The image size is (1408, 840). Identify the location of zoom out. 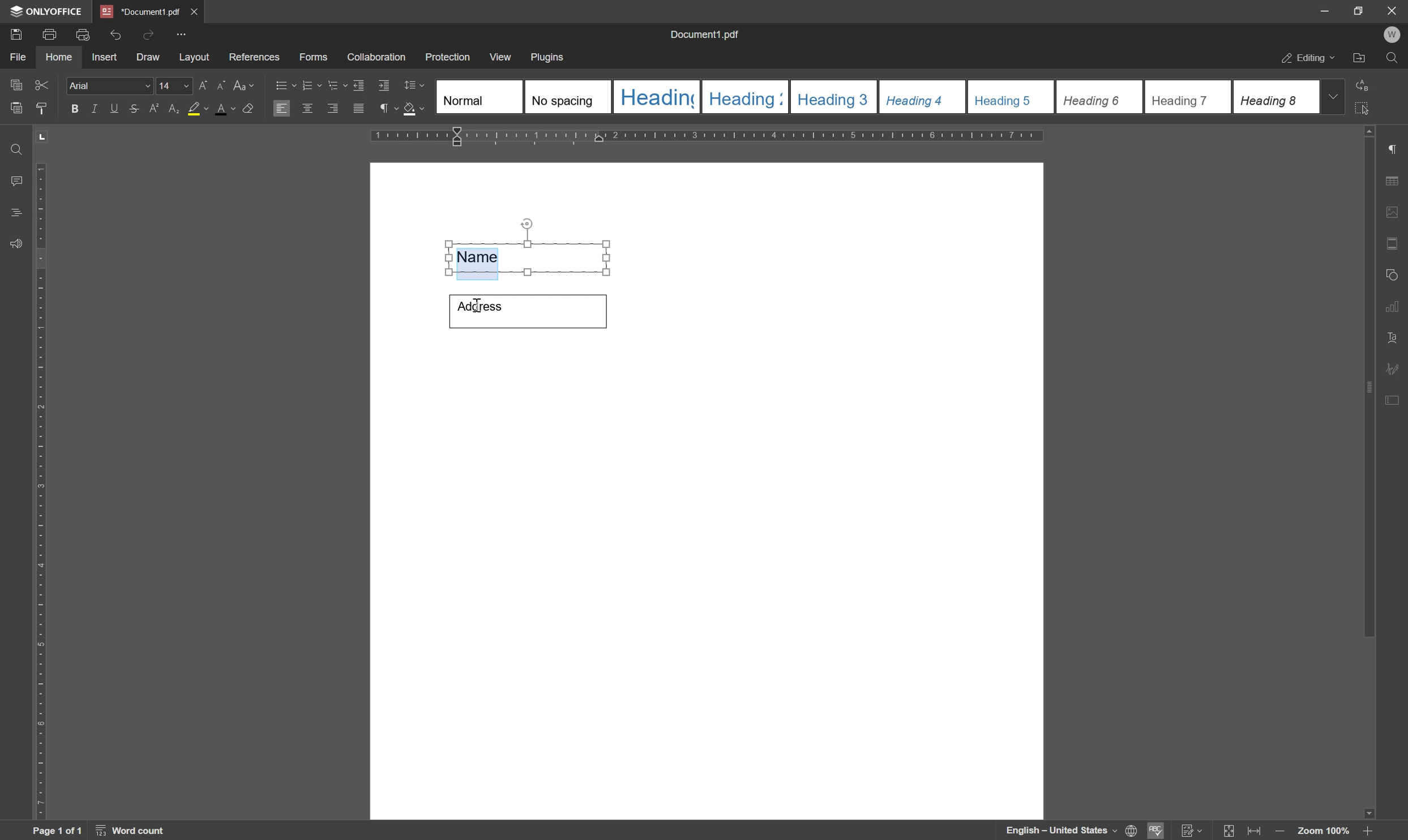
(1282, 832).